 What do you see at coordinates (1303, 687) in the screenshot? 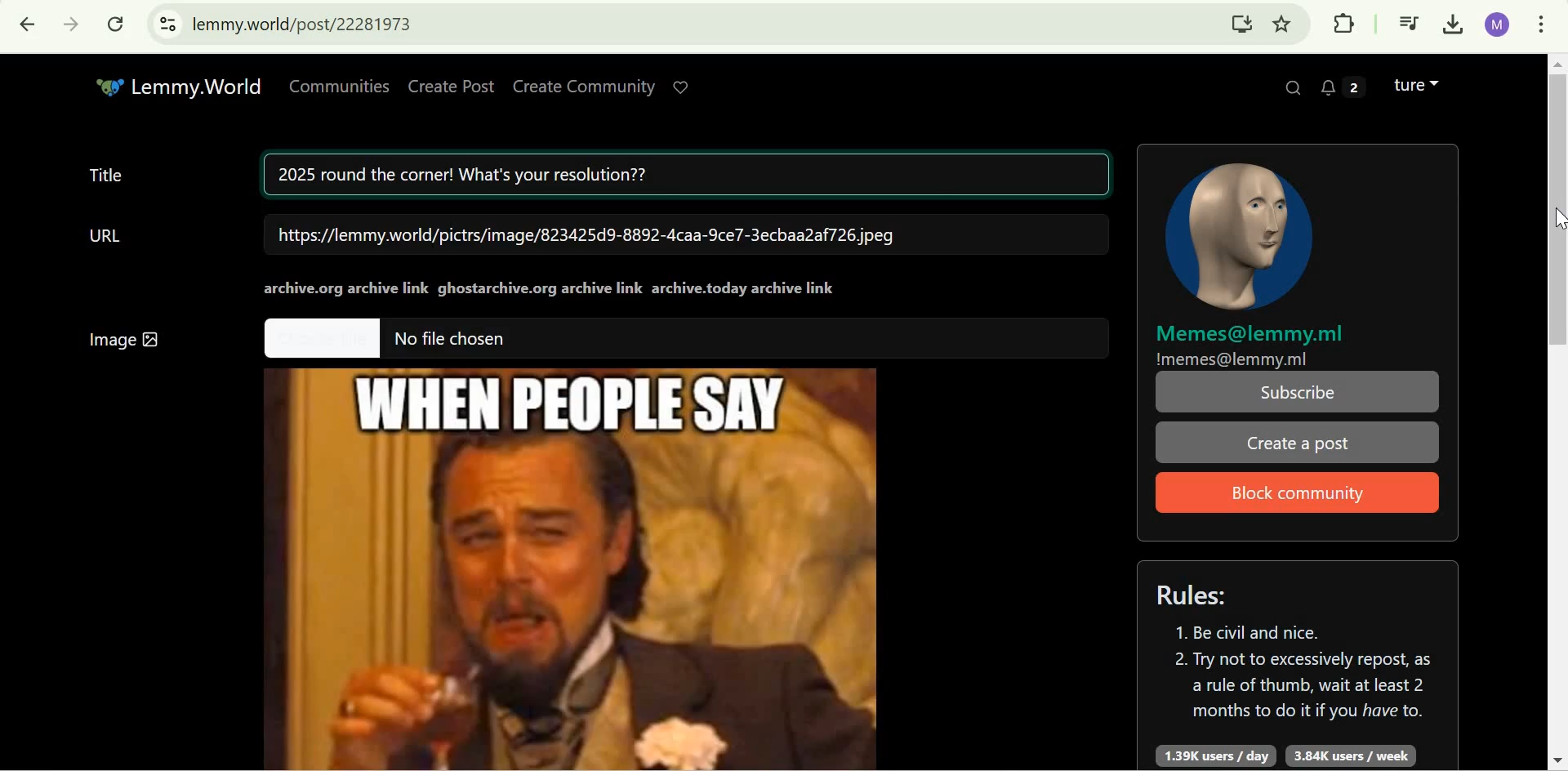
I see `2. Try not to excessively repost, as
a rule of thumb, wait at least 2
months to do it if you have to.` at bounding box center [1303, 687].